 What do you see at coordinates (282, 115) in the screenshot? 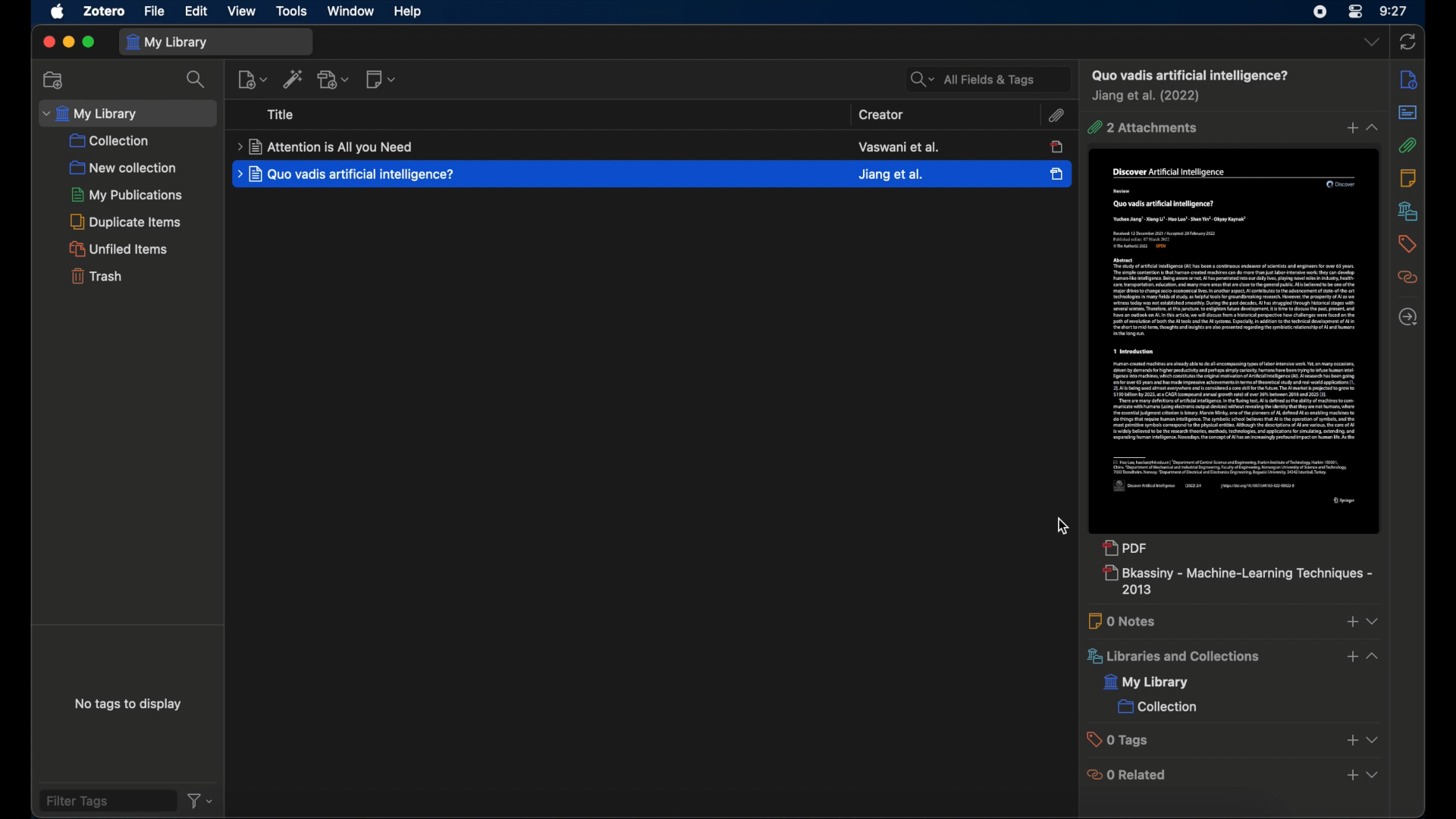
I see `title` at bounding box center [282, 115].